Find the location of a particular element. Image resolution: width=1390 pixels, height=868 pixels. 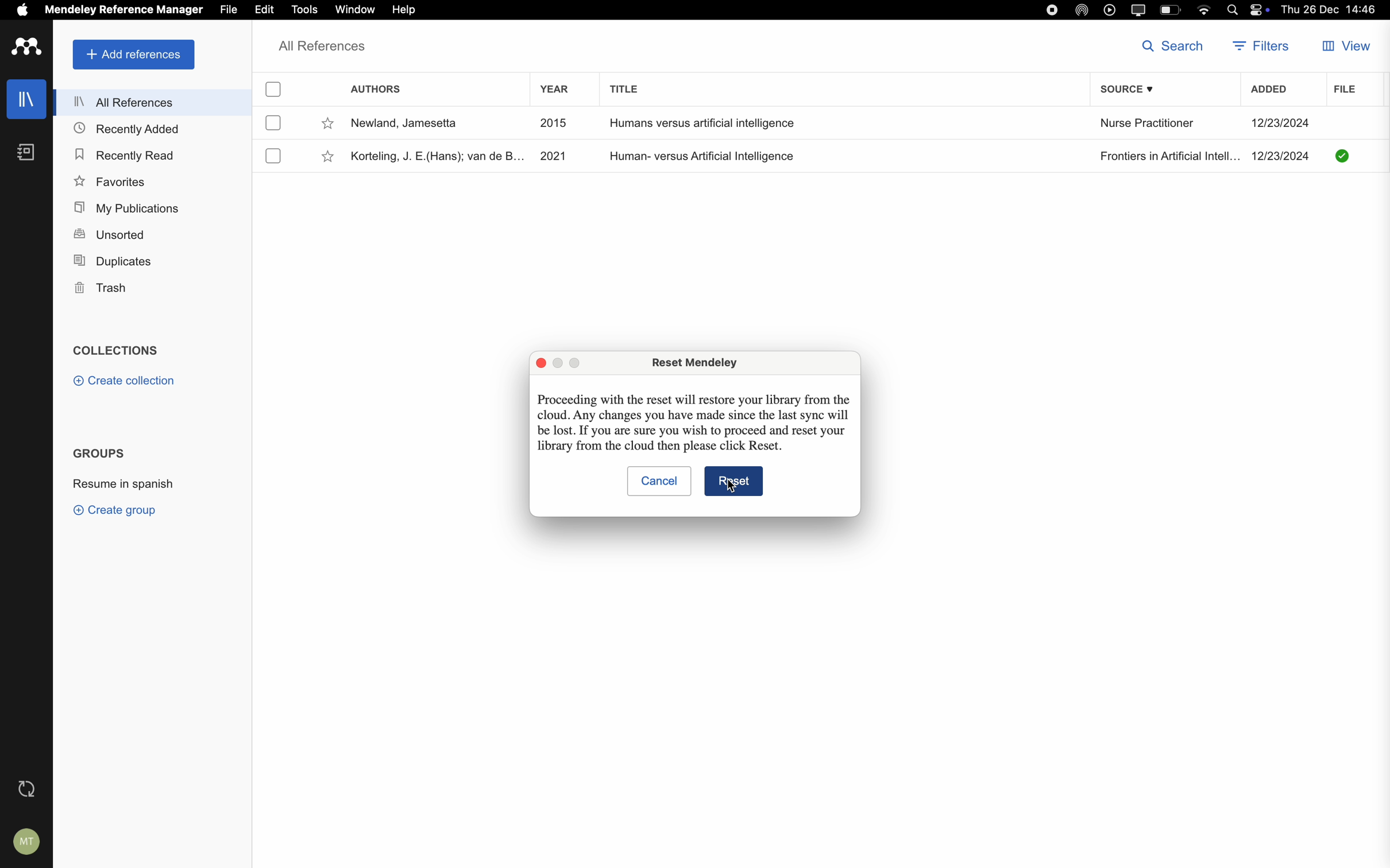

airdrop is located at coordinates (1082, 9).